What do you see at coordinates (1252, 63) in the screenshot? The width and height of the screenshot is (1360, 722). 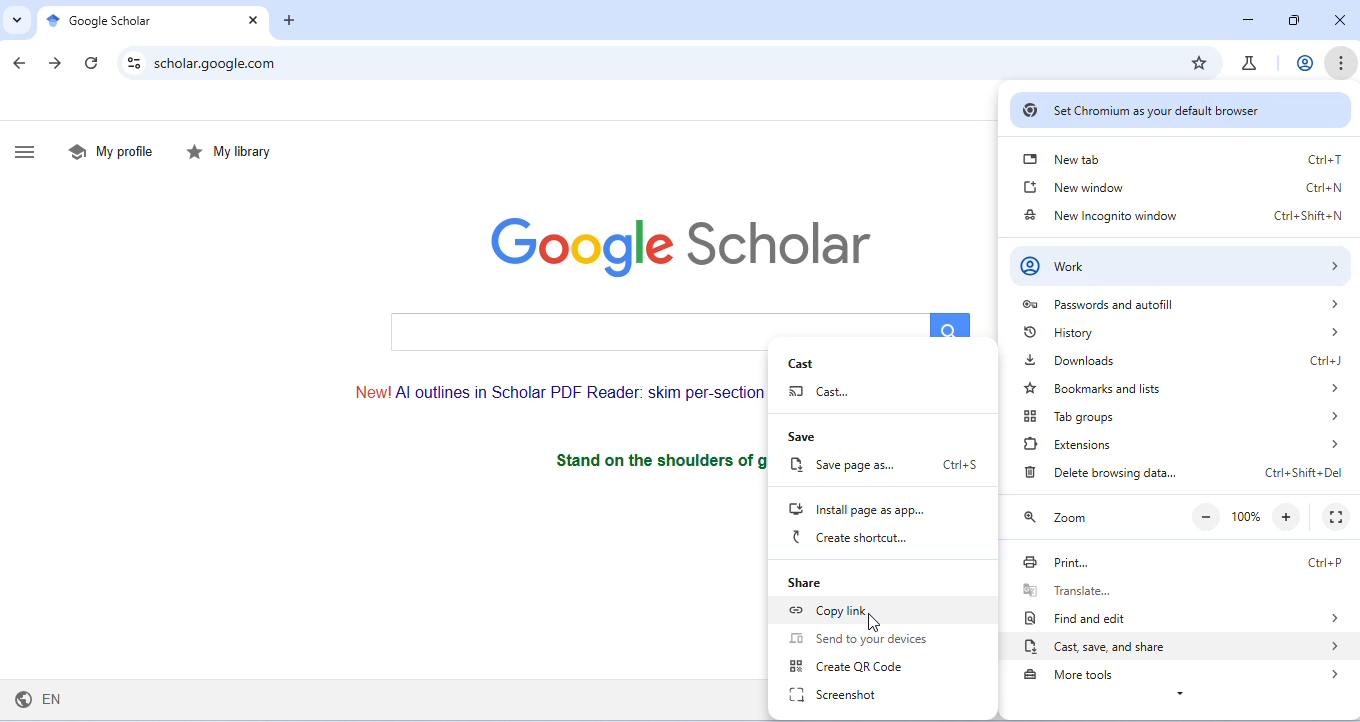 I see `chrome labs` at bounding box center [1252, 63].